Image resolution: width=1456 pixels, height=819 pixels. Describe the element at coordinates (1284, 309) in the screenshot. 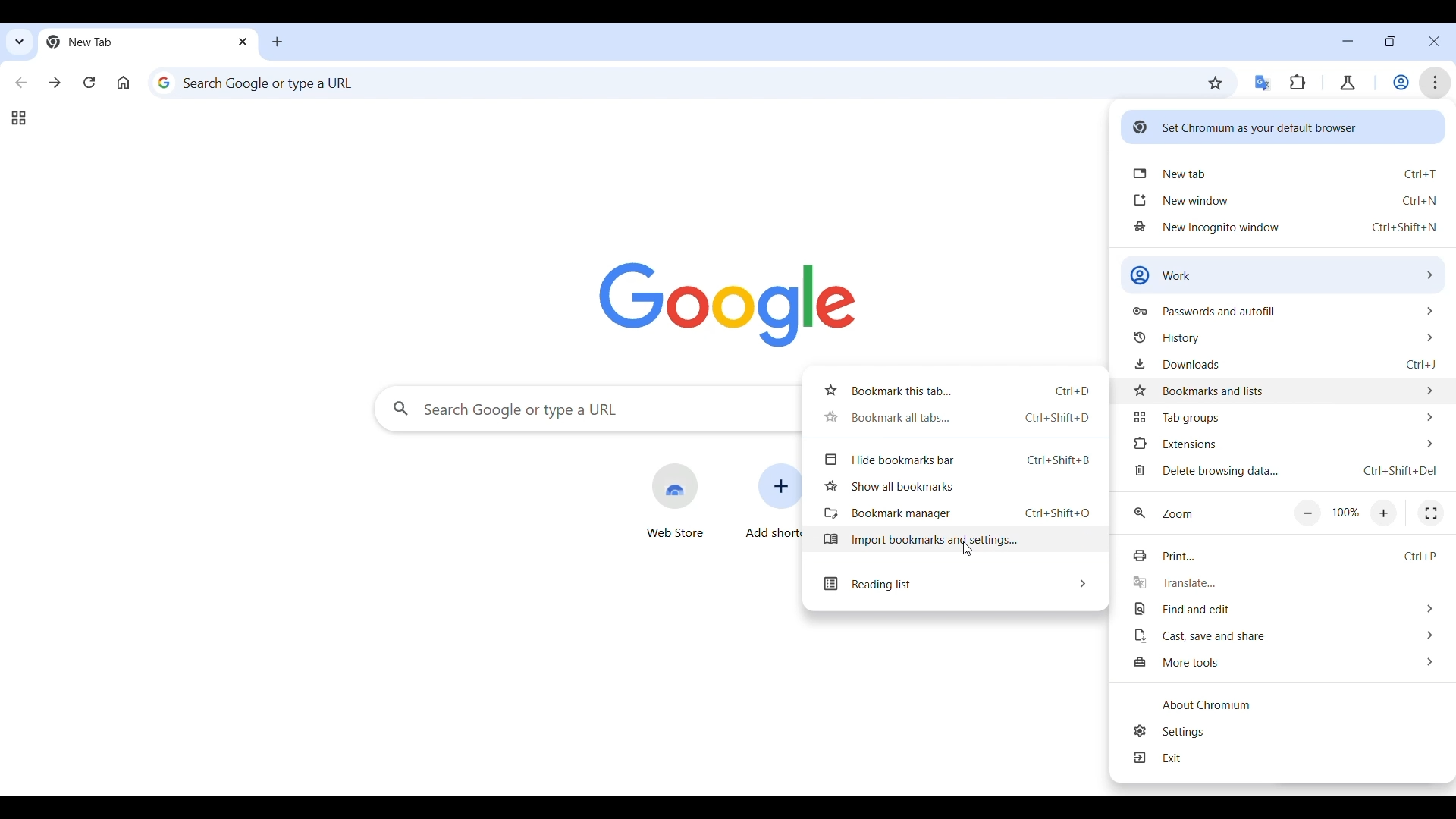

I see `Passwords and autofill` at that location.